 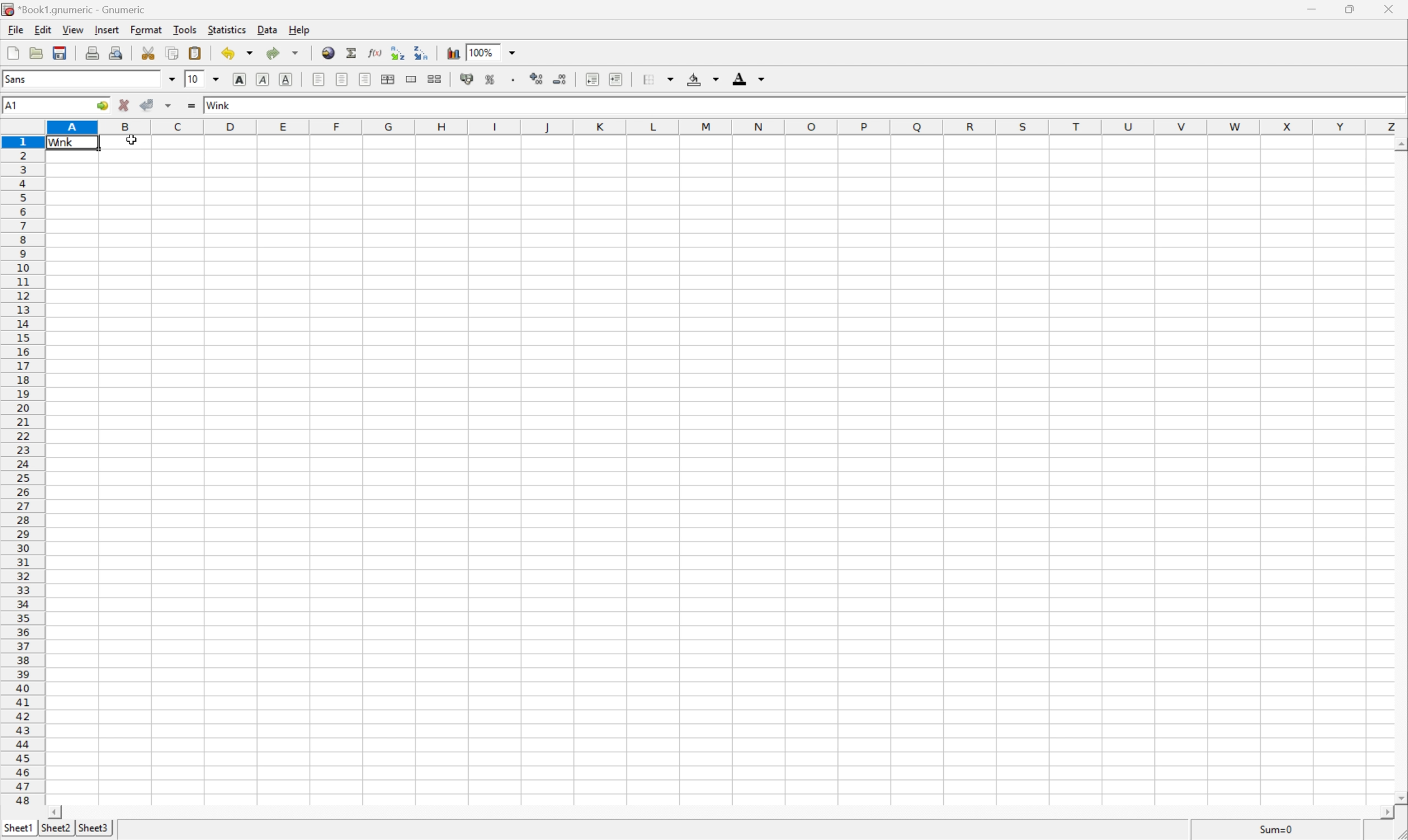 I want to click on copy, so click(x=173, y=53).